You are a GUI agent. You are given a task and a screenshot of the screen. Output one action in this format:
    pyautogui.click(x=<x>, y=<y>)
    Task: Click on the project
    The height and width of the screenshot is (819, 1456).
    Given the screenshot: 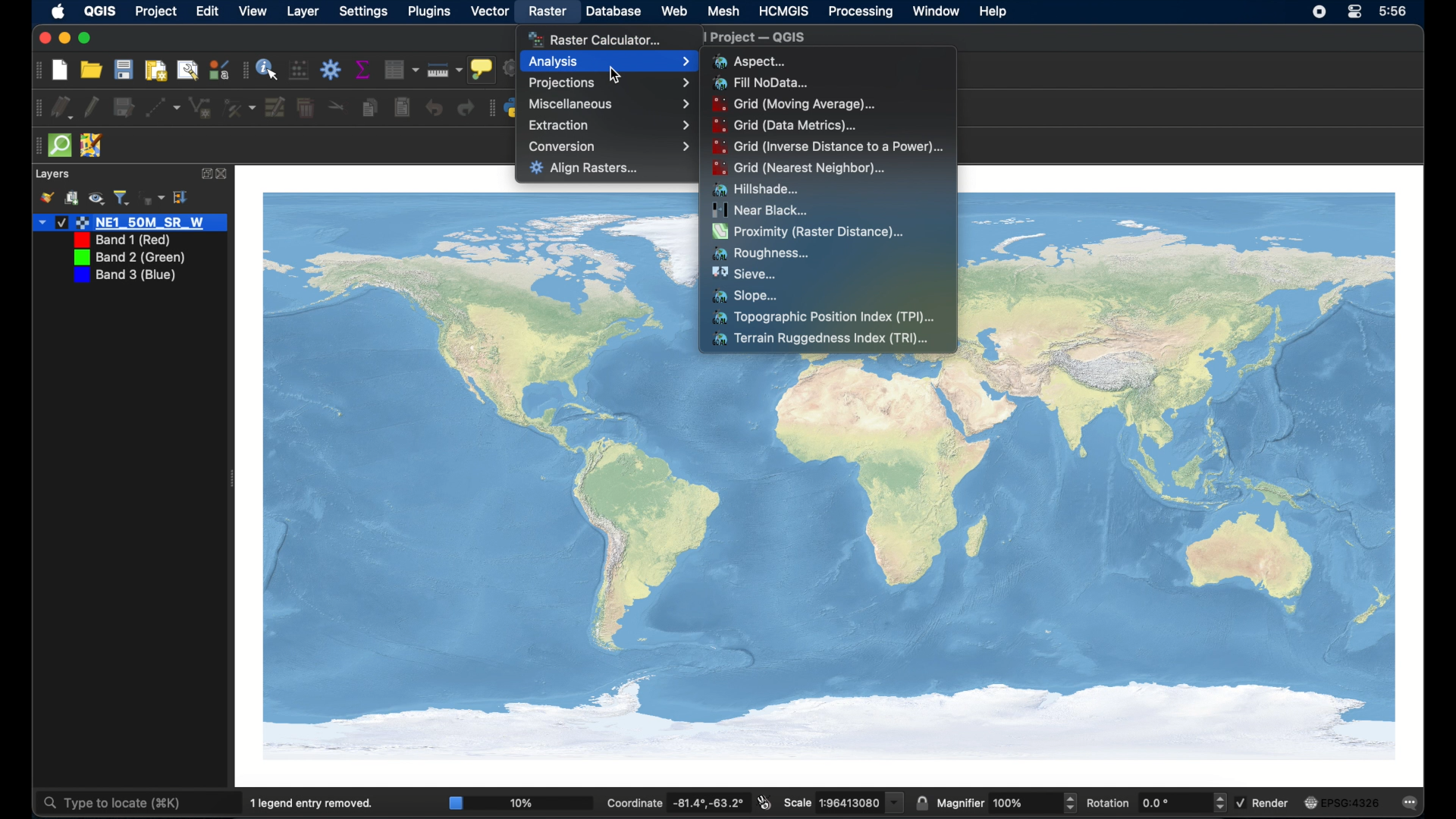 What is the action you would take?
    pyautogui.click(x=156, y=12)
    